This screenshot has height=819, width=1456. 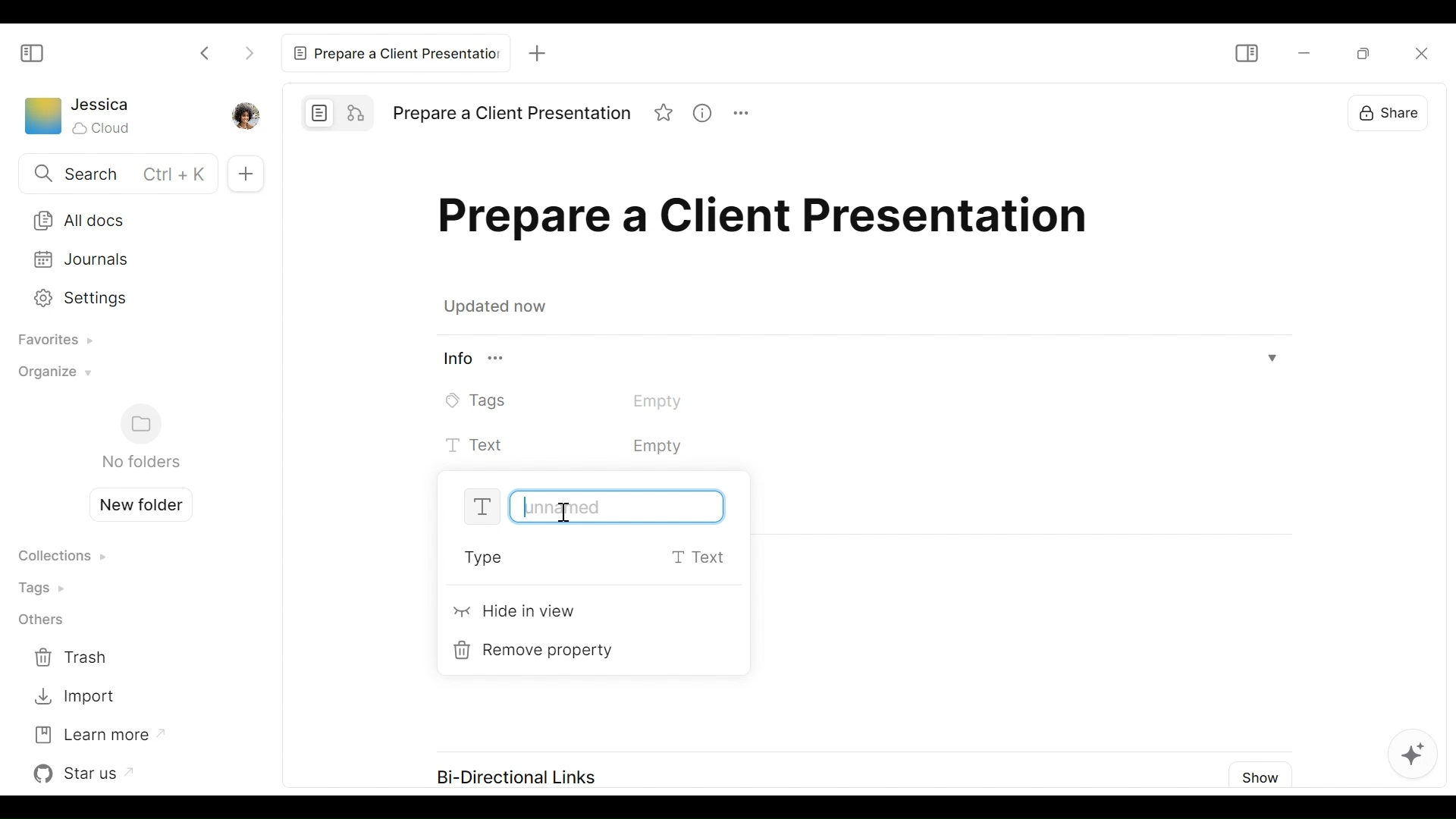 I want to click on Learn more, so click(x=98, y=733).